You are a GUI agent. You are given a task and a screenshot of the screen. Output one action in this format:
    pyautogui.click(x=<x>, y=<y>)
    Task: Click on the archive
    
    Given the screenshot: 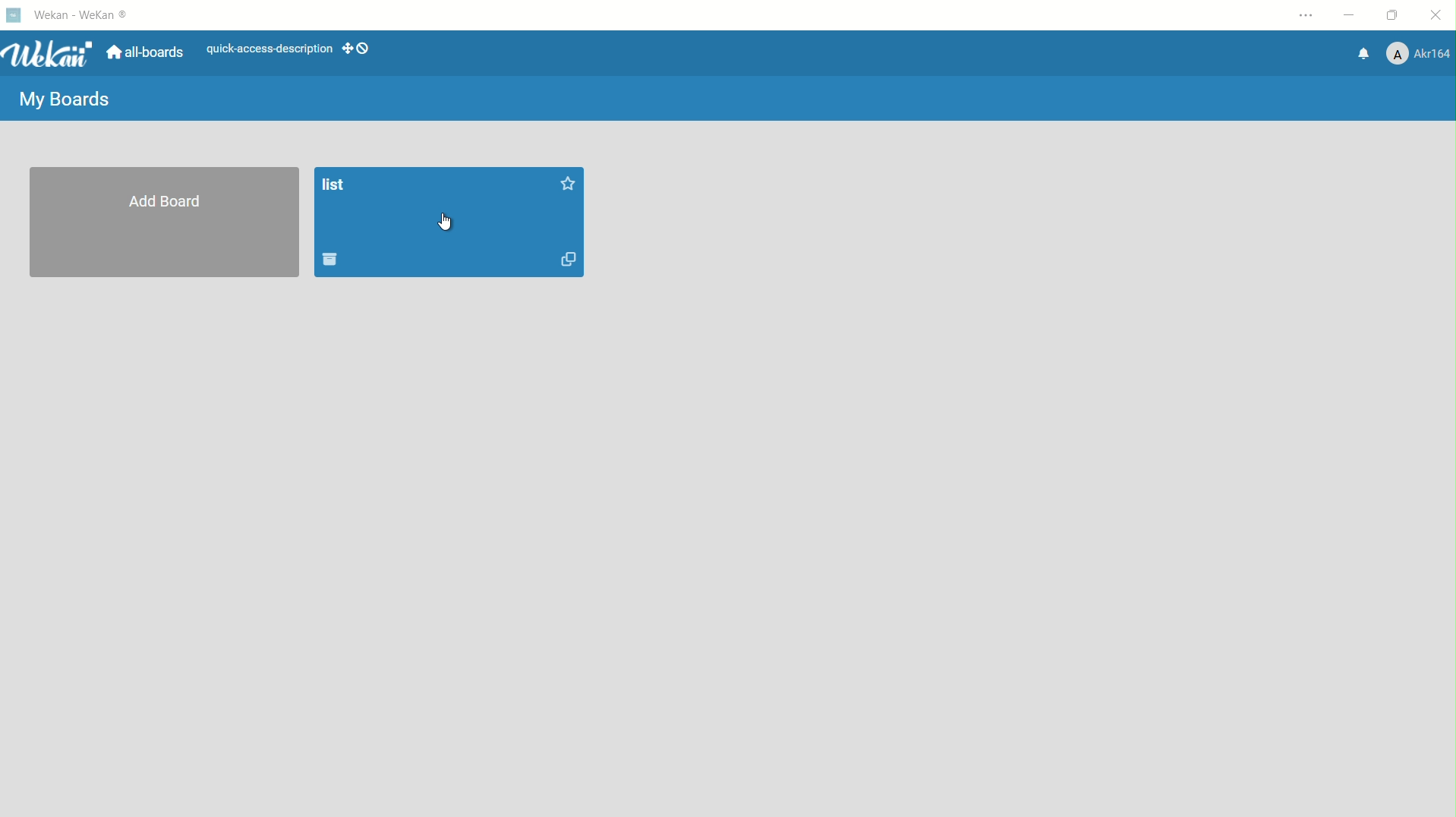 What is the action you would take?
    pyautogui.click(x=332, y=261)
    